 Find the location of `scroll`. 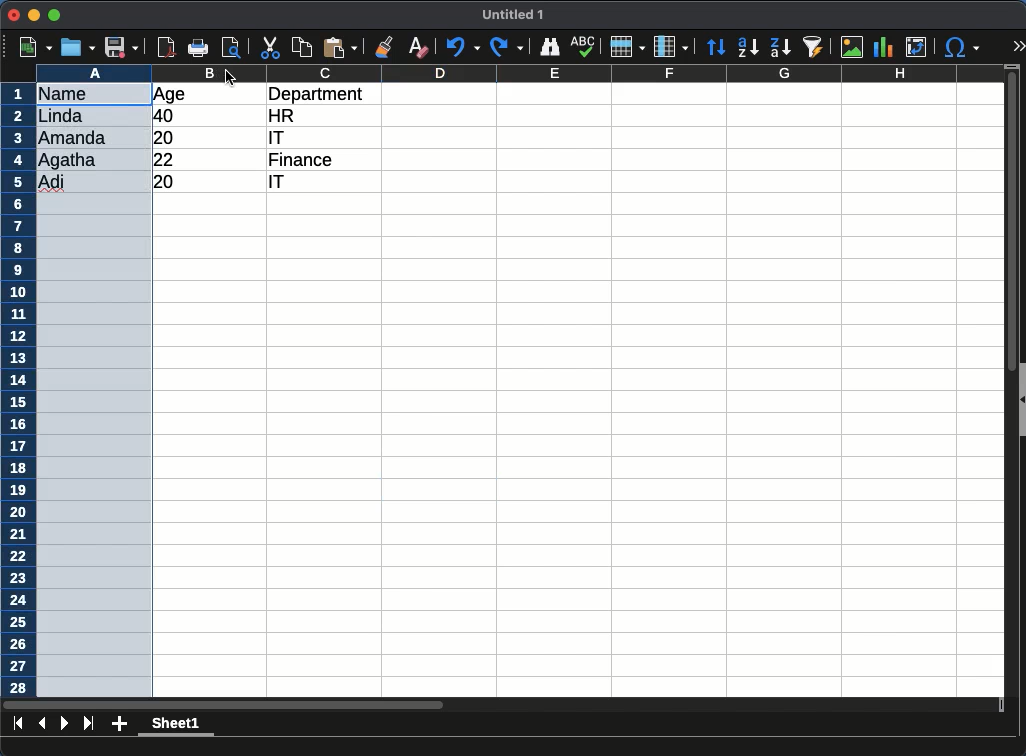

scroll is located at coordinates (1004, 386).